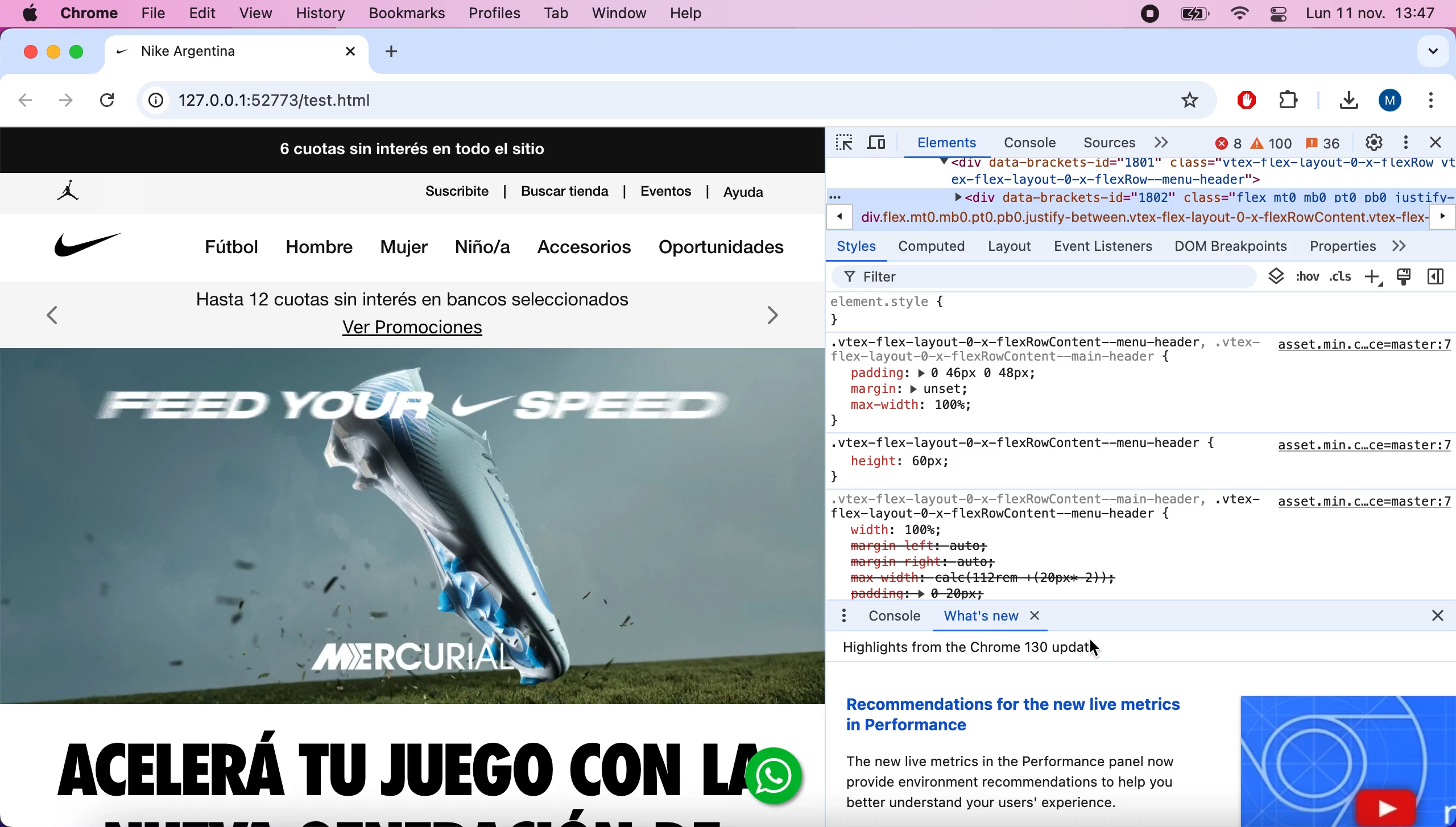  Describe the element at coordinates (858, 248) in the screenshot. I see `styles` at that location.